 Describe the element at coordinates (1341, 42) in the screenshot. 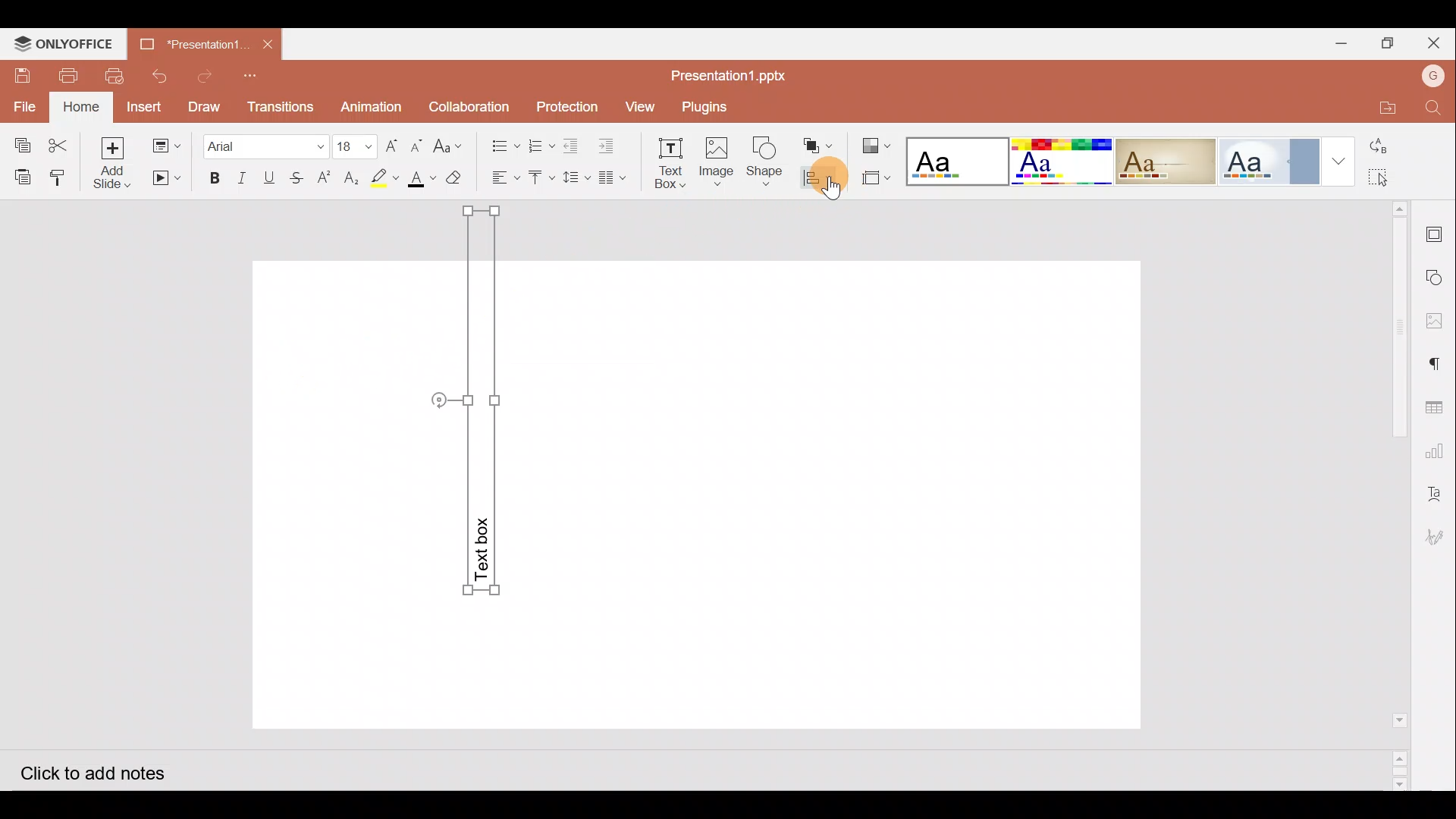

I see `Minimize` at that location.